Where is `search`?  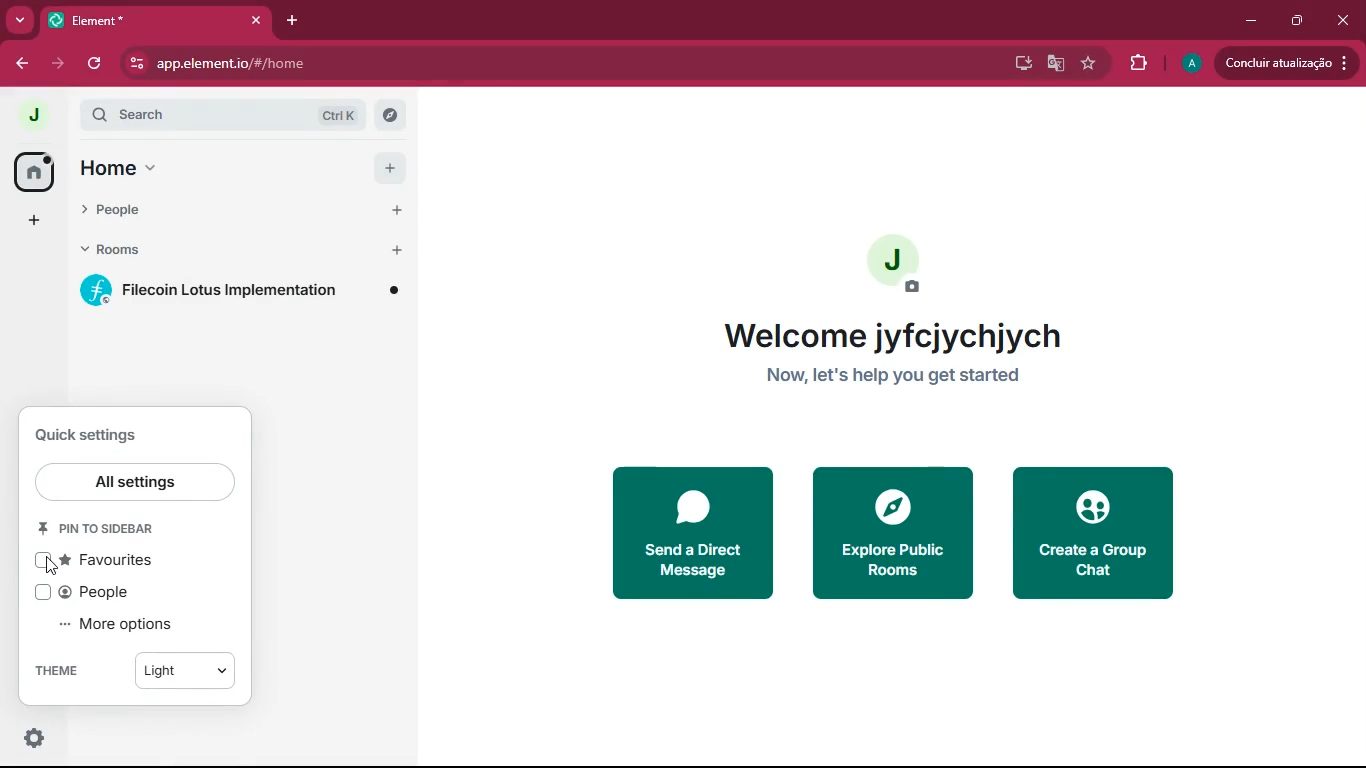 search is located at coordinates (243, 114).